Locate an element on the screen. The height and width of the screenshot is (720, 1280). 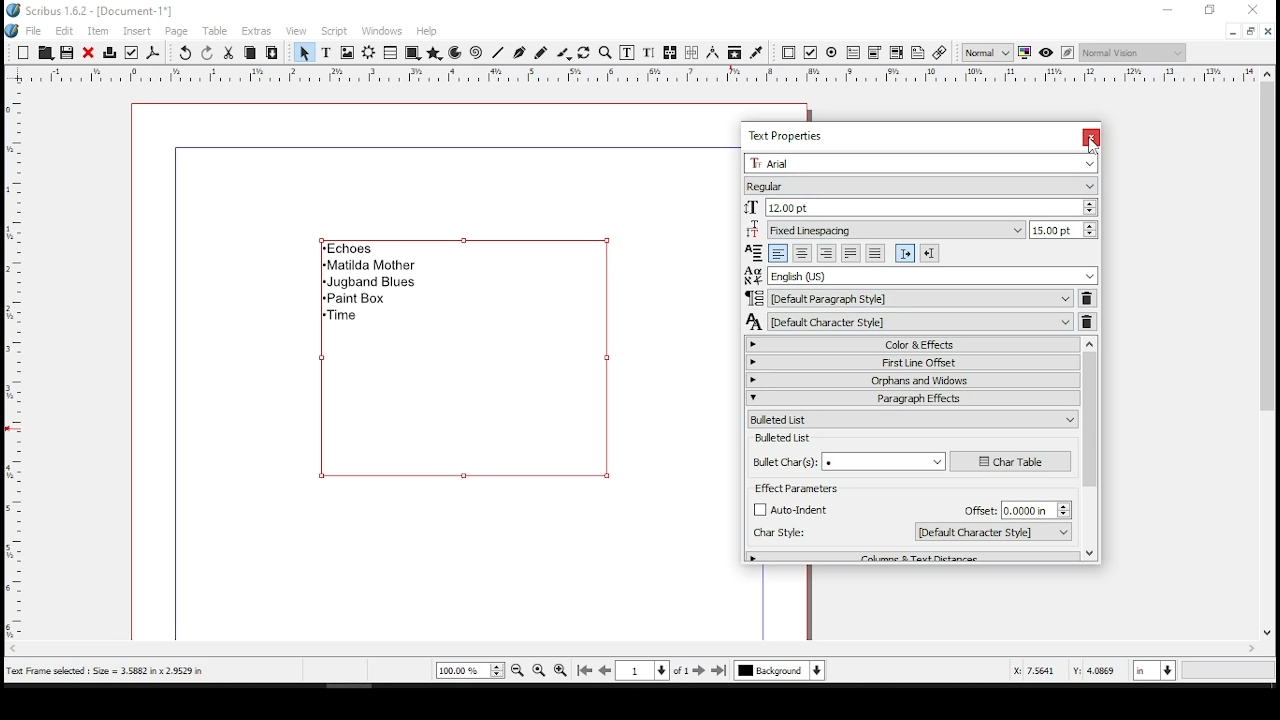
units is located at coordinates (1152, 672).